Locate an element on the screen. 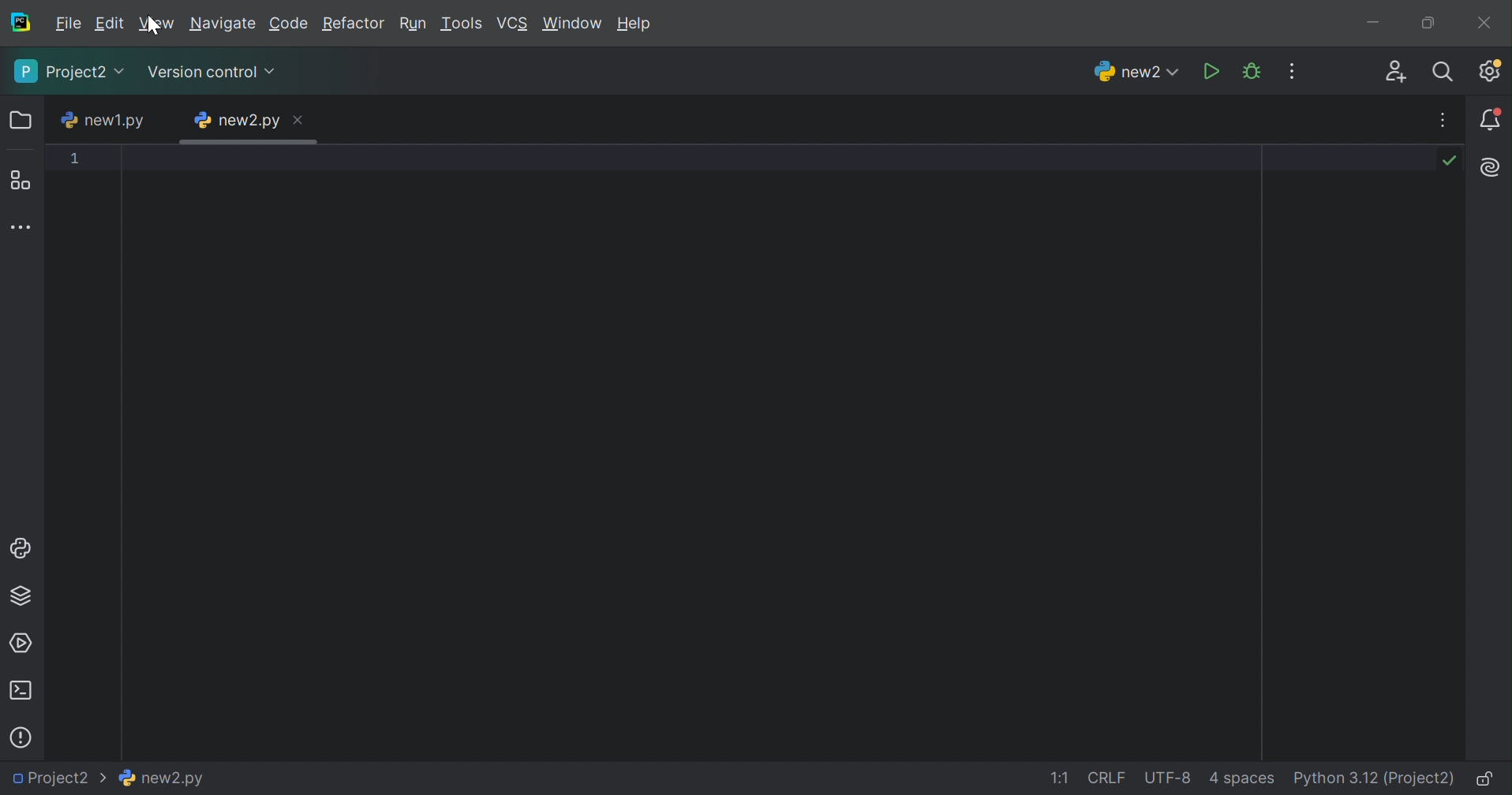 The image size is (1512, 795). More actions is located at coordinates (1286, 72).